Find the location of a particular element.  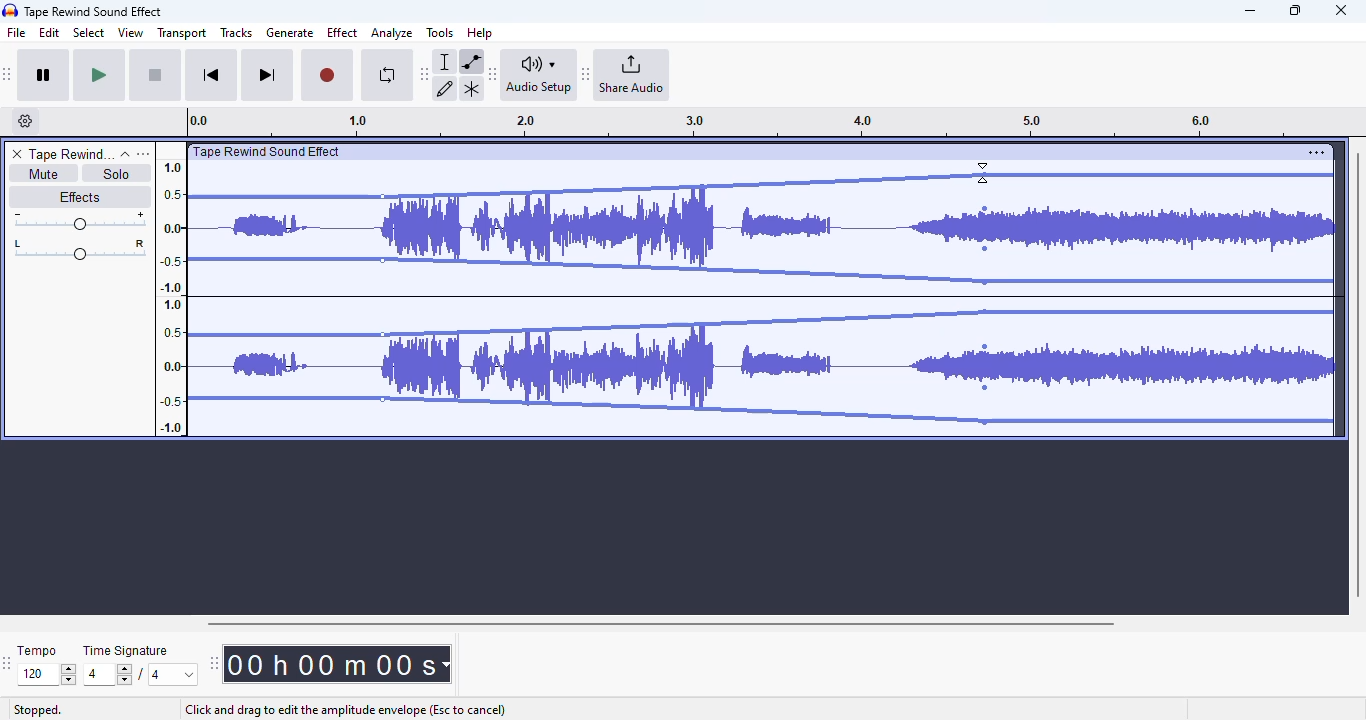

Volume of the track reduced is located at coordinates (280, 290).